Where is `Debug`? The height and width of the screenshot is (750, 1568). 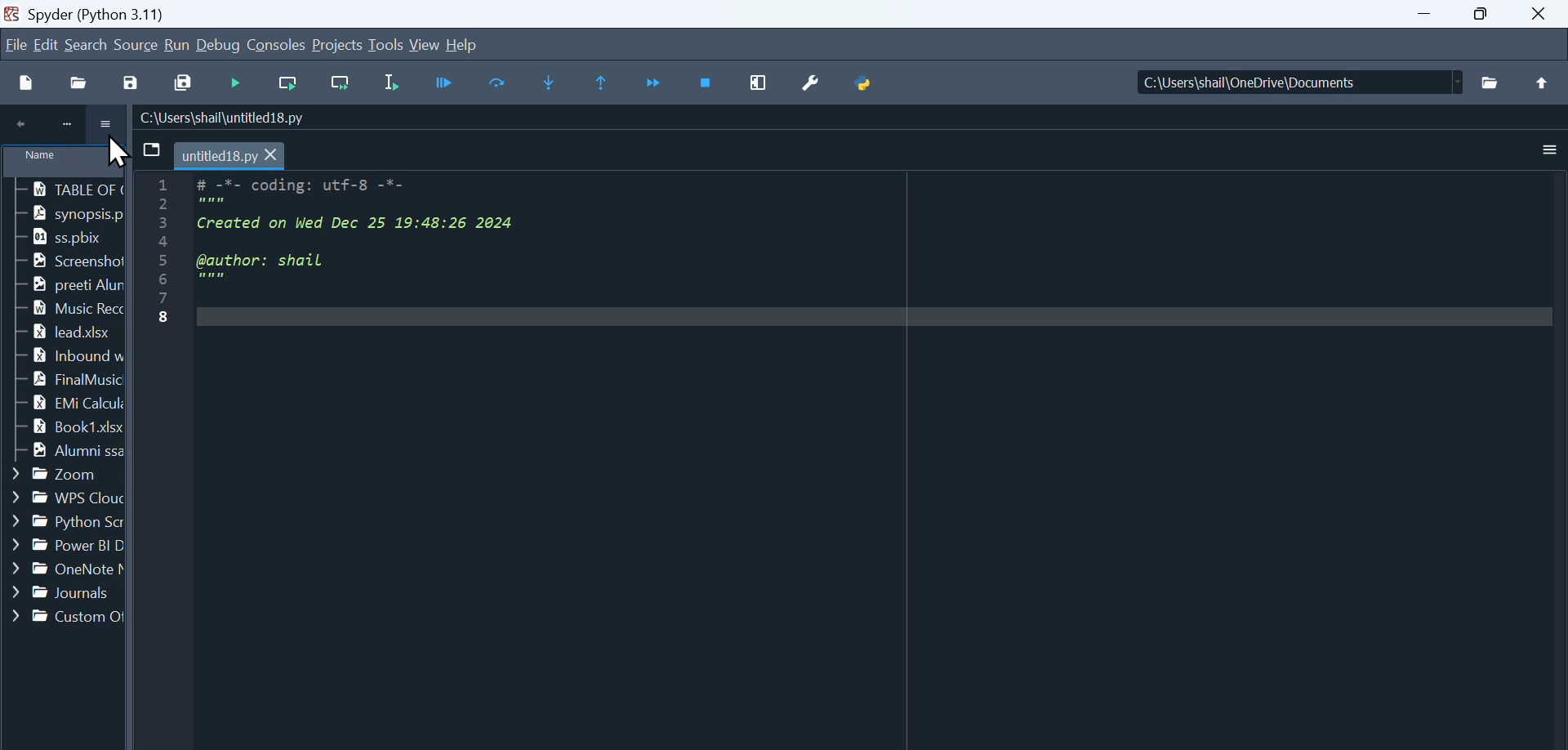 Debug is located at coordinates (220, 46).